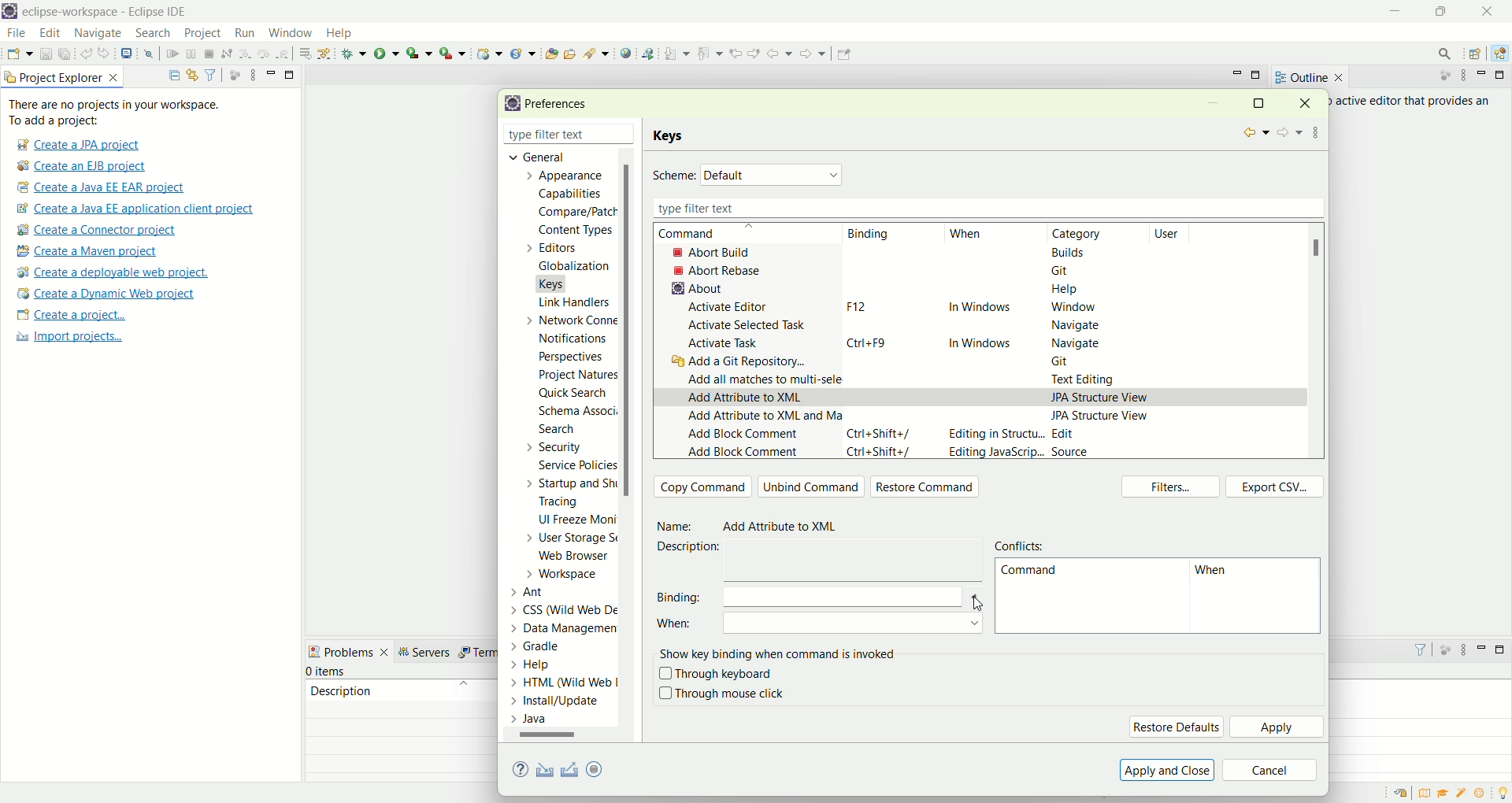 The width and height of the screenshot is (1512, 803). What do you see at coordinates (1309, 77) in the screenshot?
I see `outline` at bounding box center [1309, 77].